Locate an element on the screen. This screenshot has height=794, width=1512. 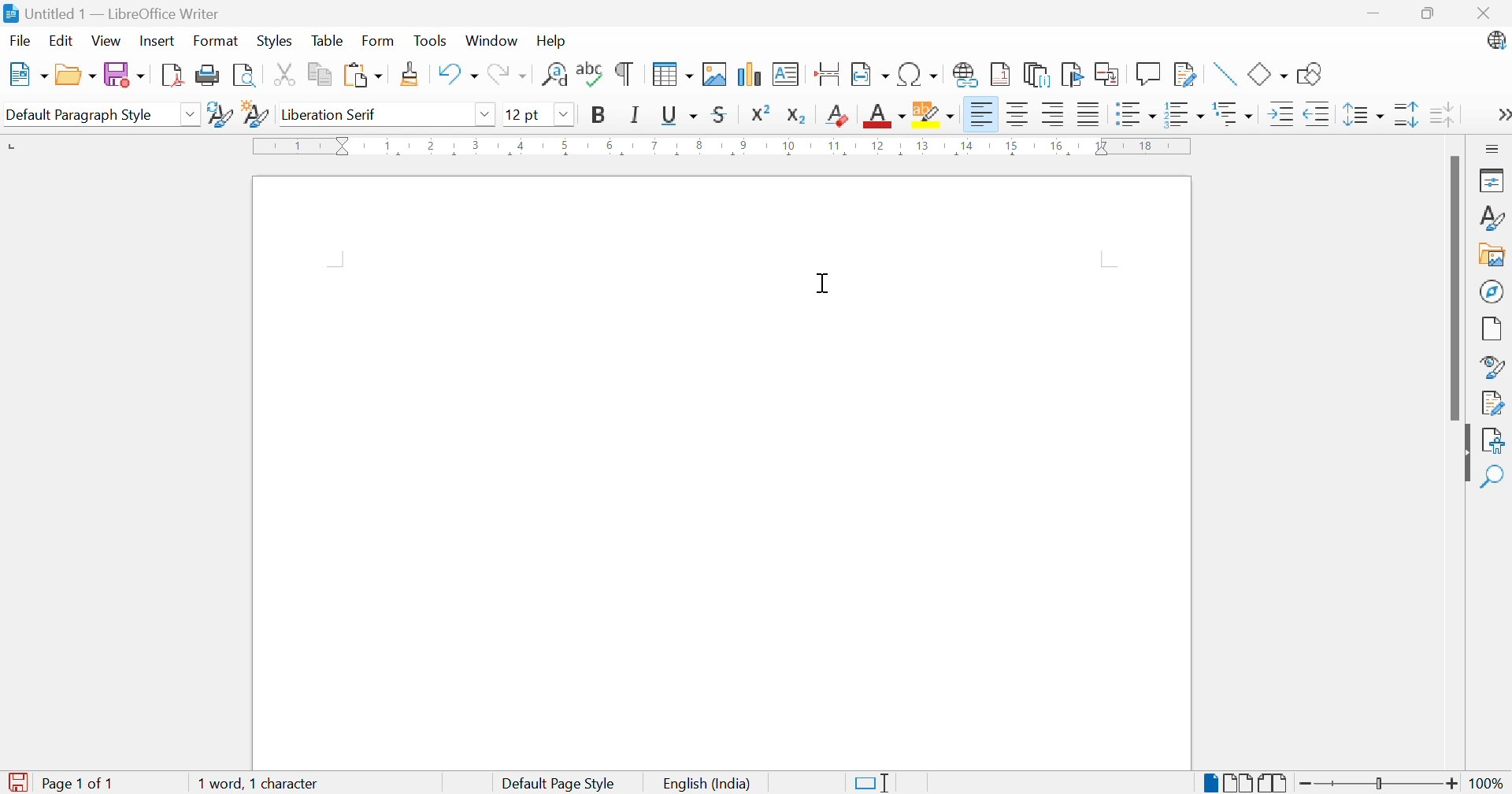
Paste is located at coordinates (362, 74).